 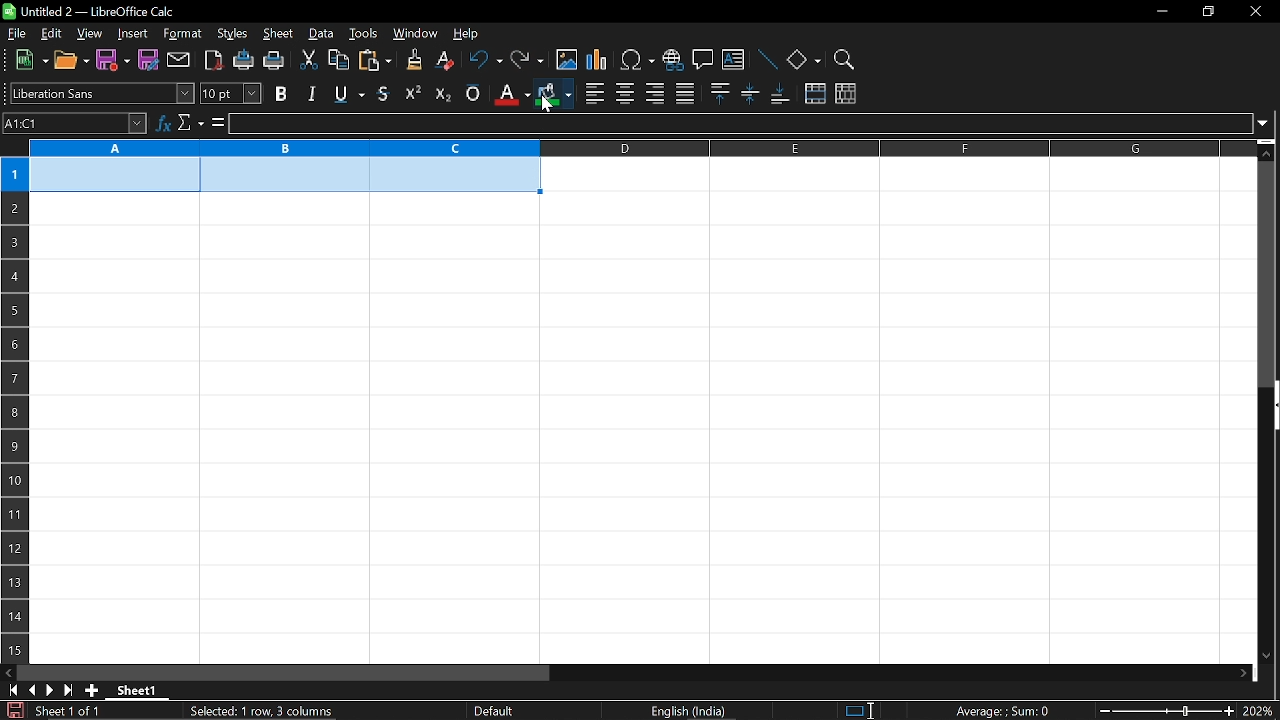 What do you see at coordinates (310, 60) in the screenshot?
I see `cut` at bounding box center [310, 60].